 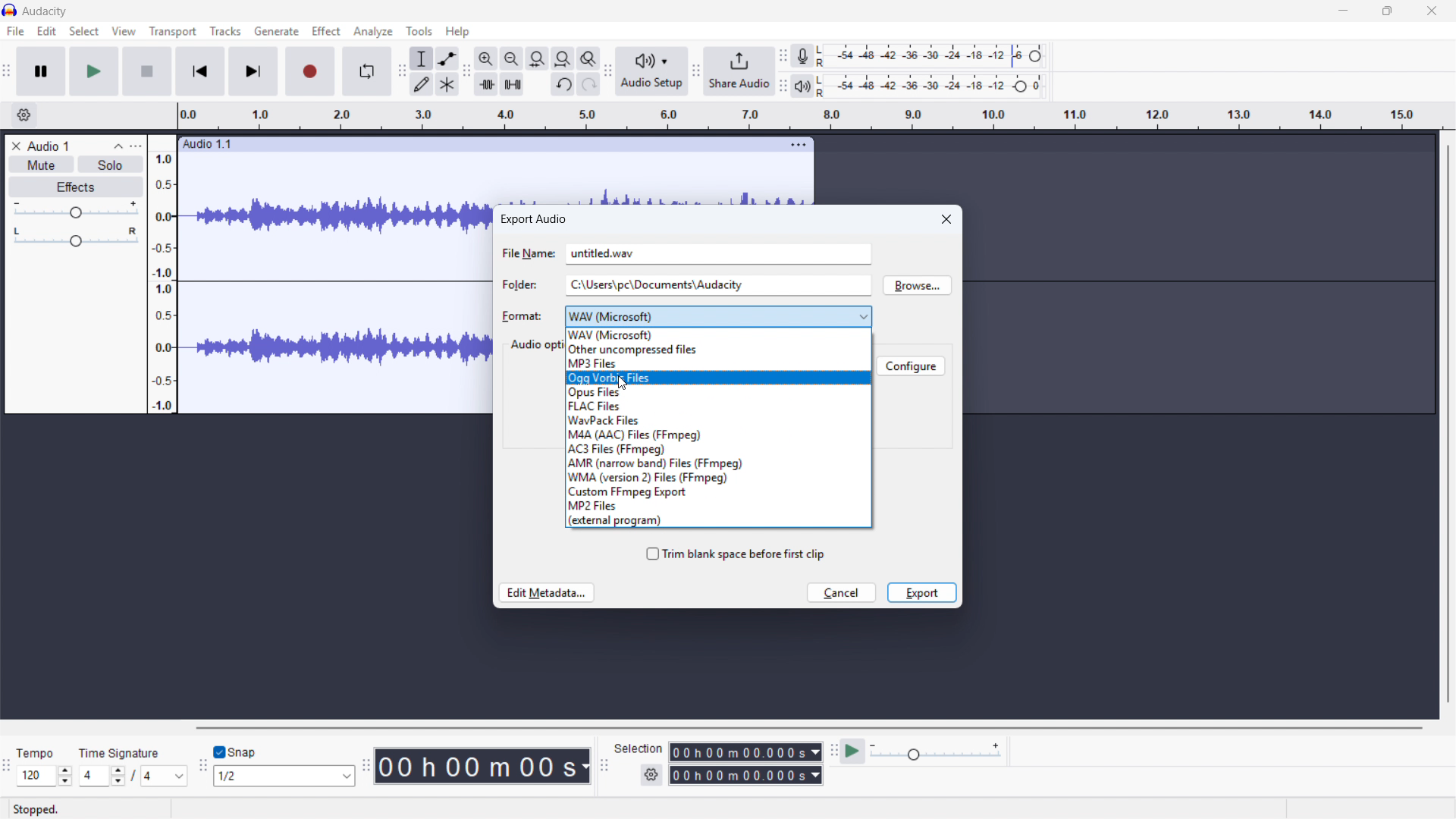 I want to click on file , so click(x=15, y=33).